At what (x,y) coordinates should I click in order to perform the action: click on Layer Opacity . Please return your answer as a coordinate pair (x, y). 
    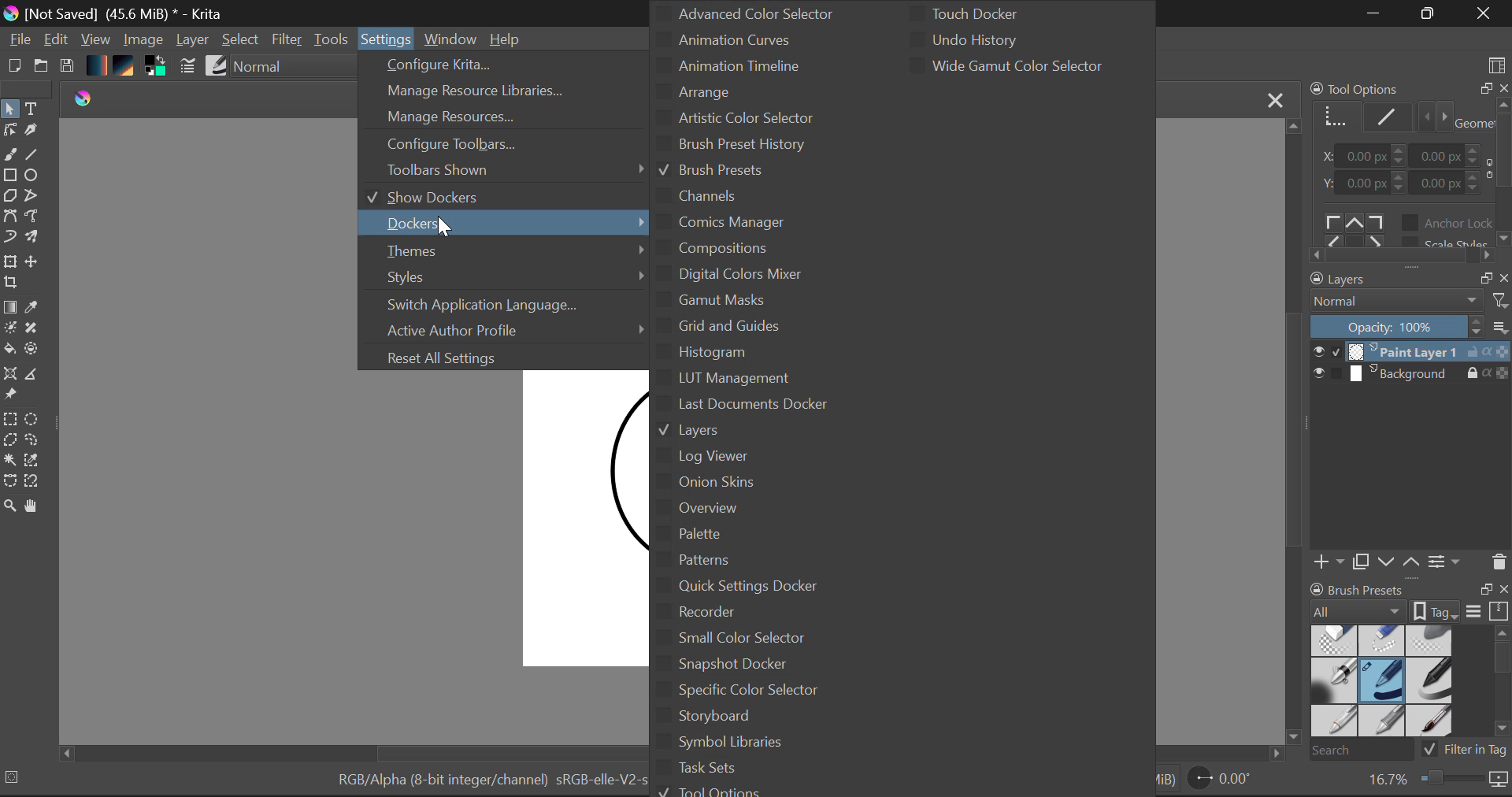
    Looking at the image, I should click on (1410, 327).